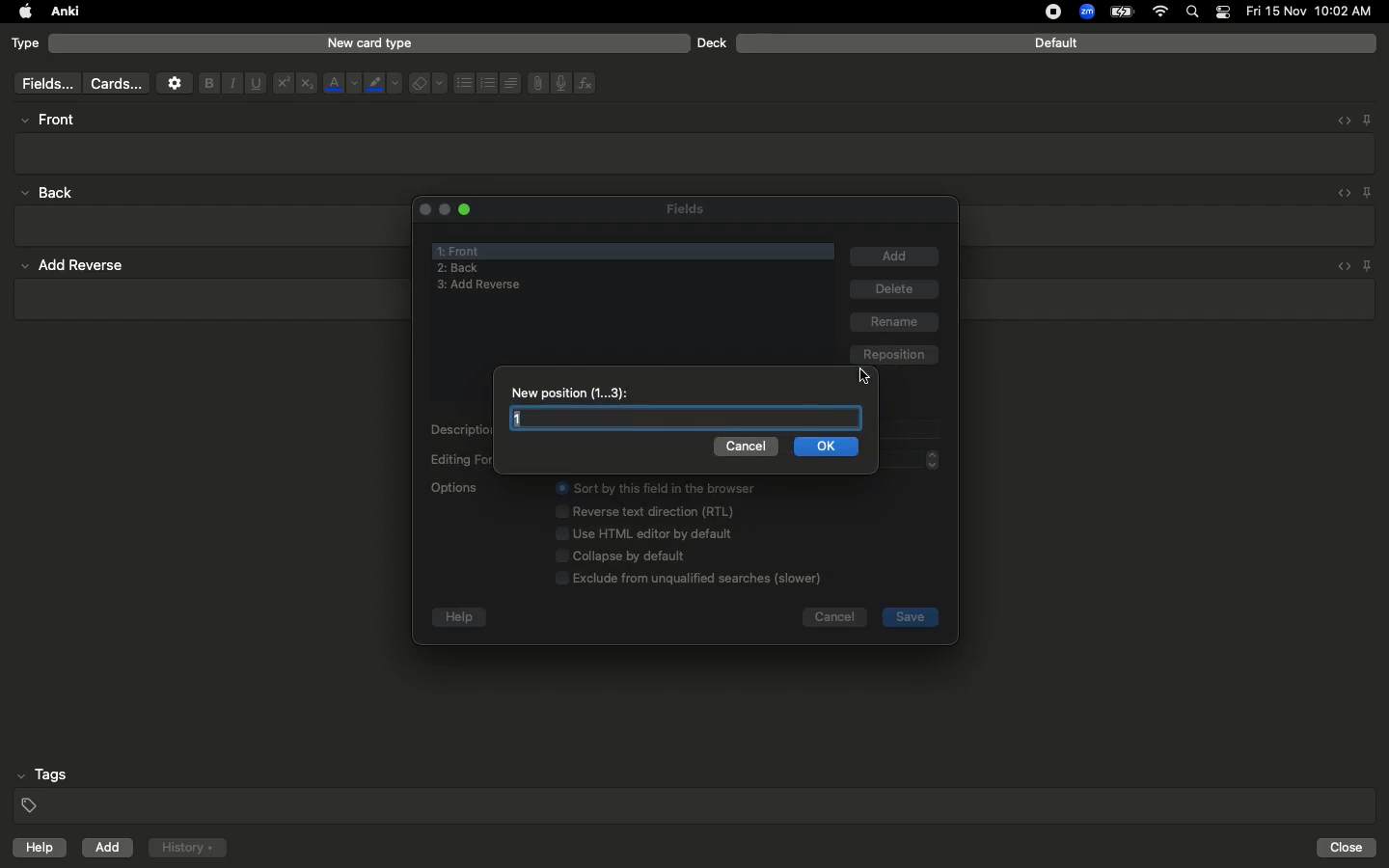  What do you see at coordinates (1121, 12) in the screenshot?
I see `Charge` at bounding box center [1121, 12].